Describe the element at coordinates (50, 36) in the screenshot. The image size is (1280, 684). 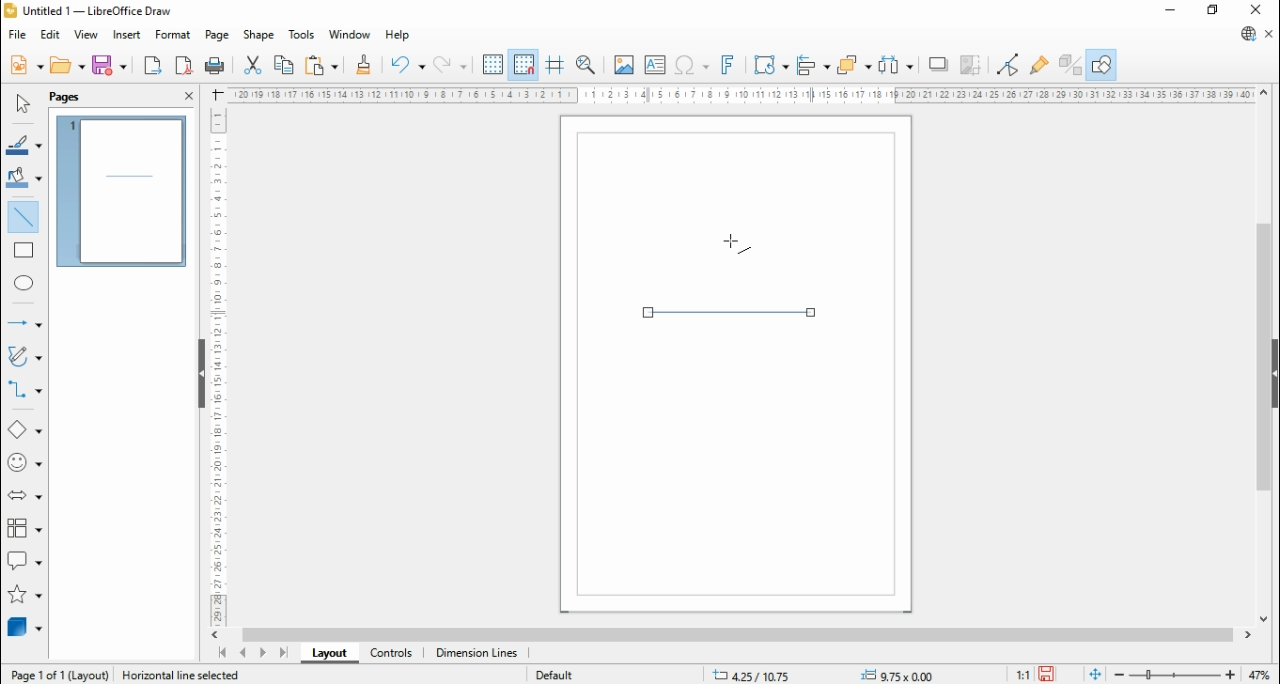
I see `edit` at that location.